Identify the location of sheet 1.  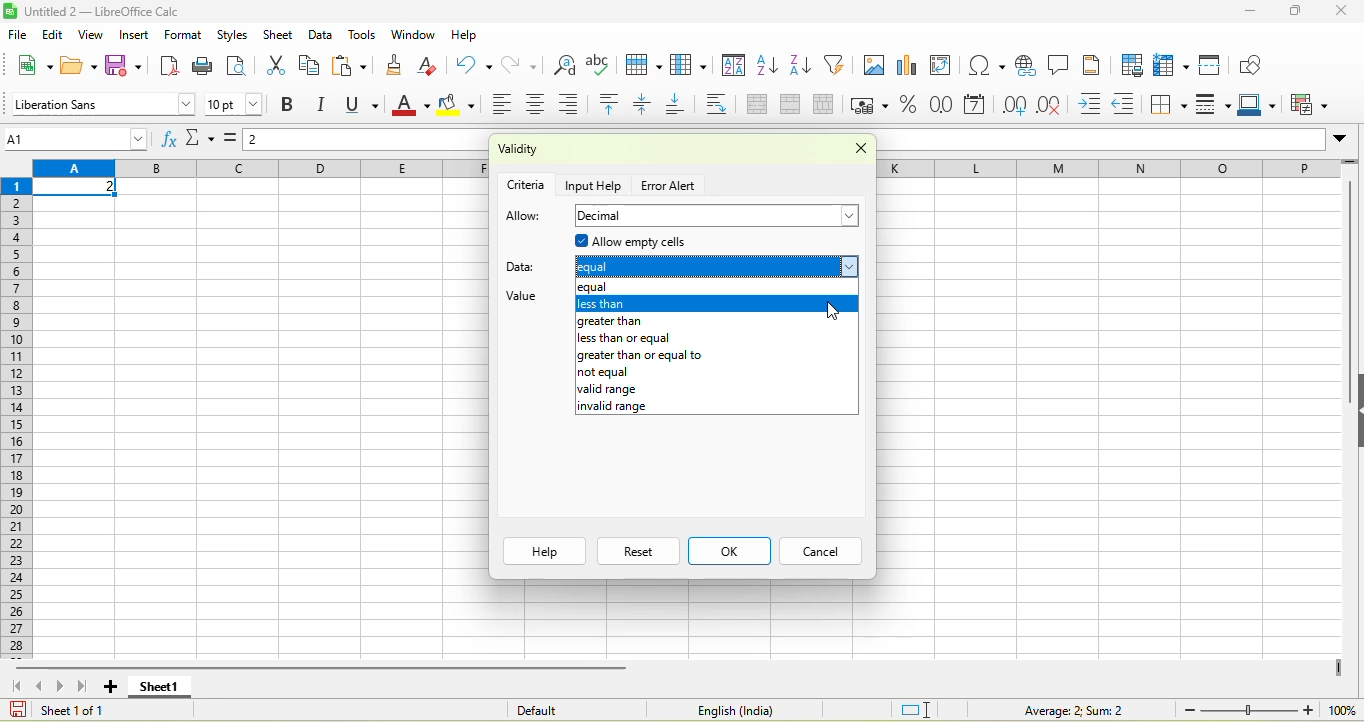
(158, 687).